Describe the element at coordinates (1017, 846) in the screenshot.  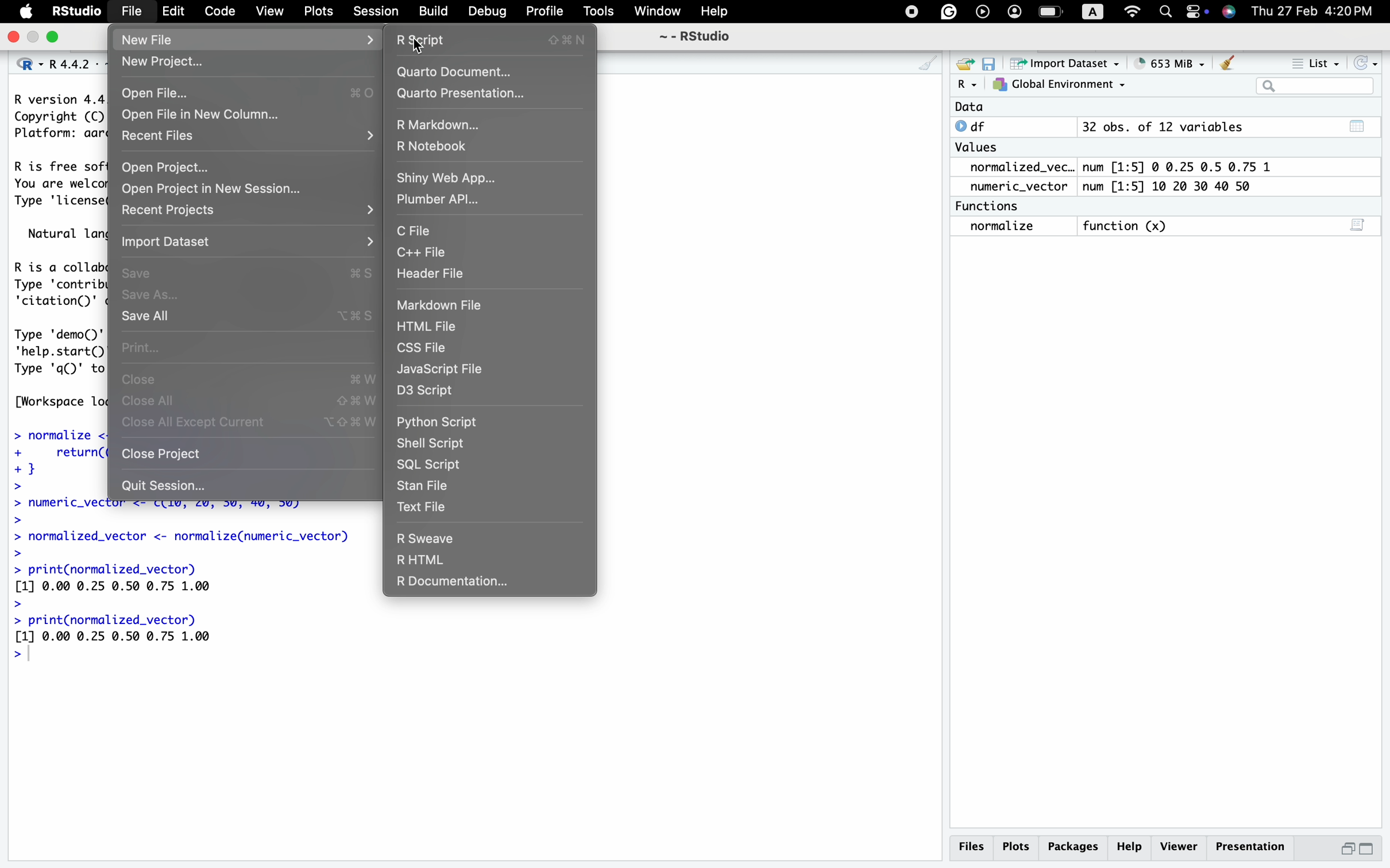
I see `Plots` at that location.